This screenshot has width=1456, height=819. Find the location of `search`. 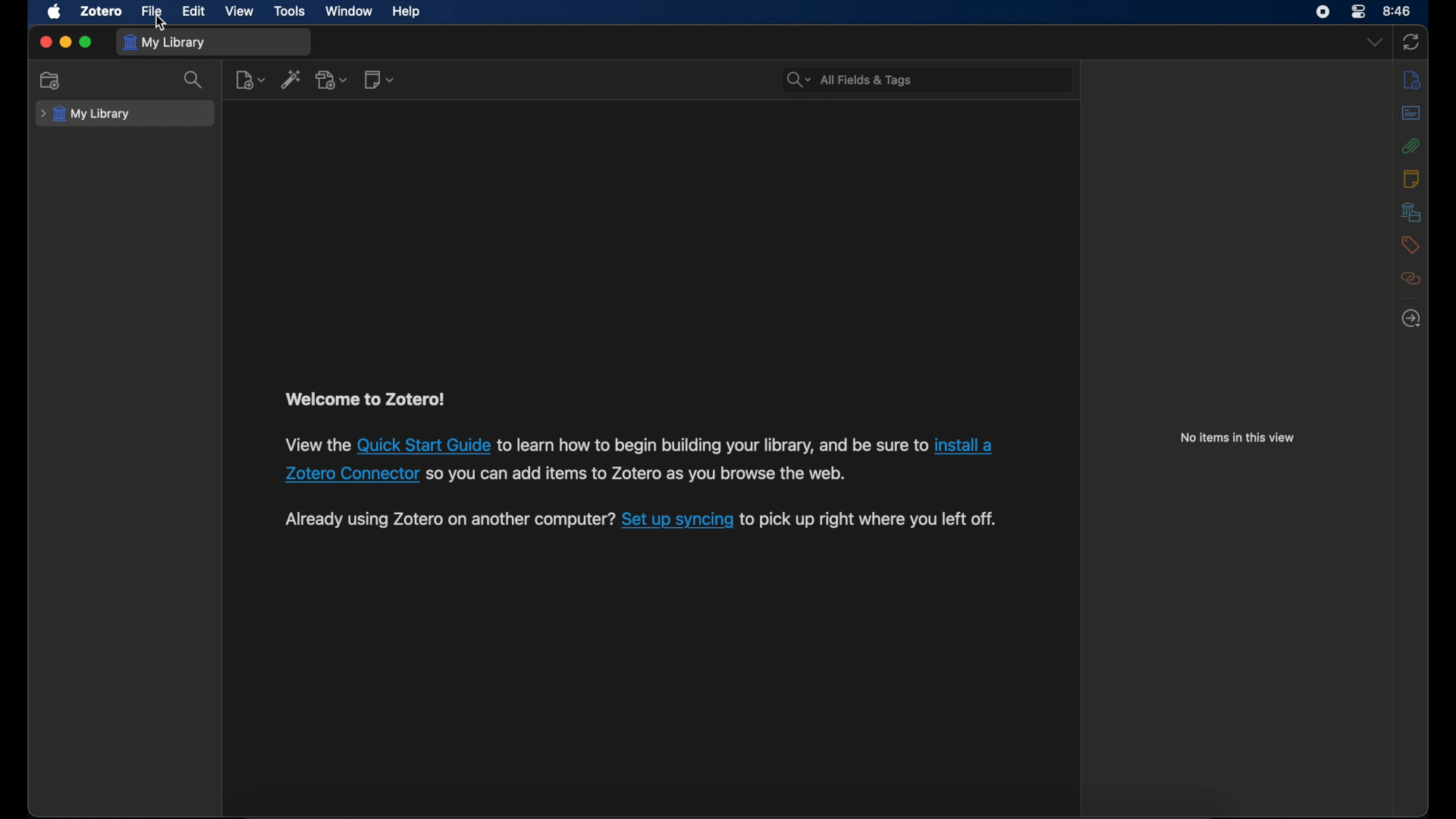

search is located at coordinates (195, 80).